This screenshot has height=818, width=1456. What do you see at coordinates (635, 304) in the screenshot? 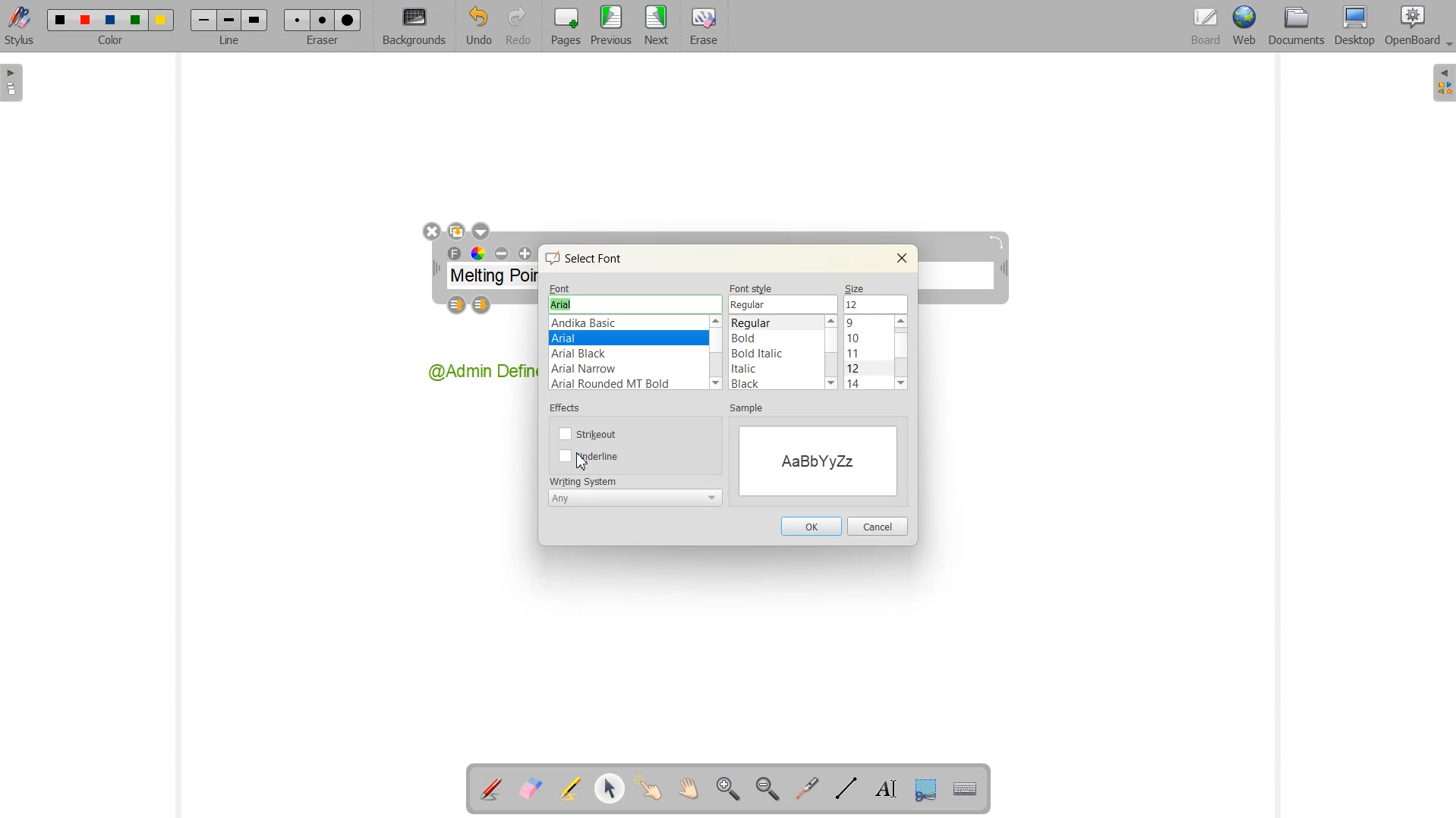
I see `Font name` at bounding box center [635, 304].